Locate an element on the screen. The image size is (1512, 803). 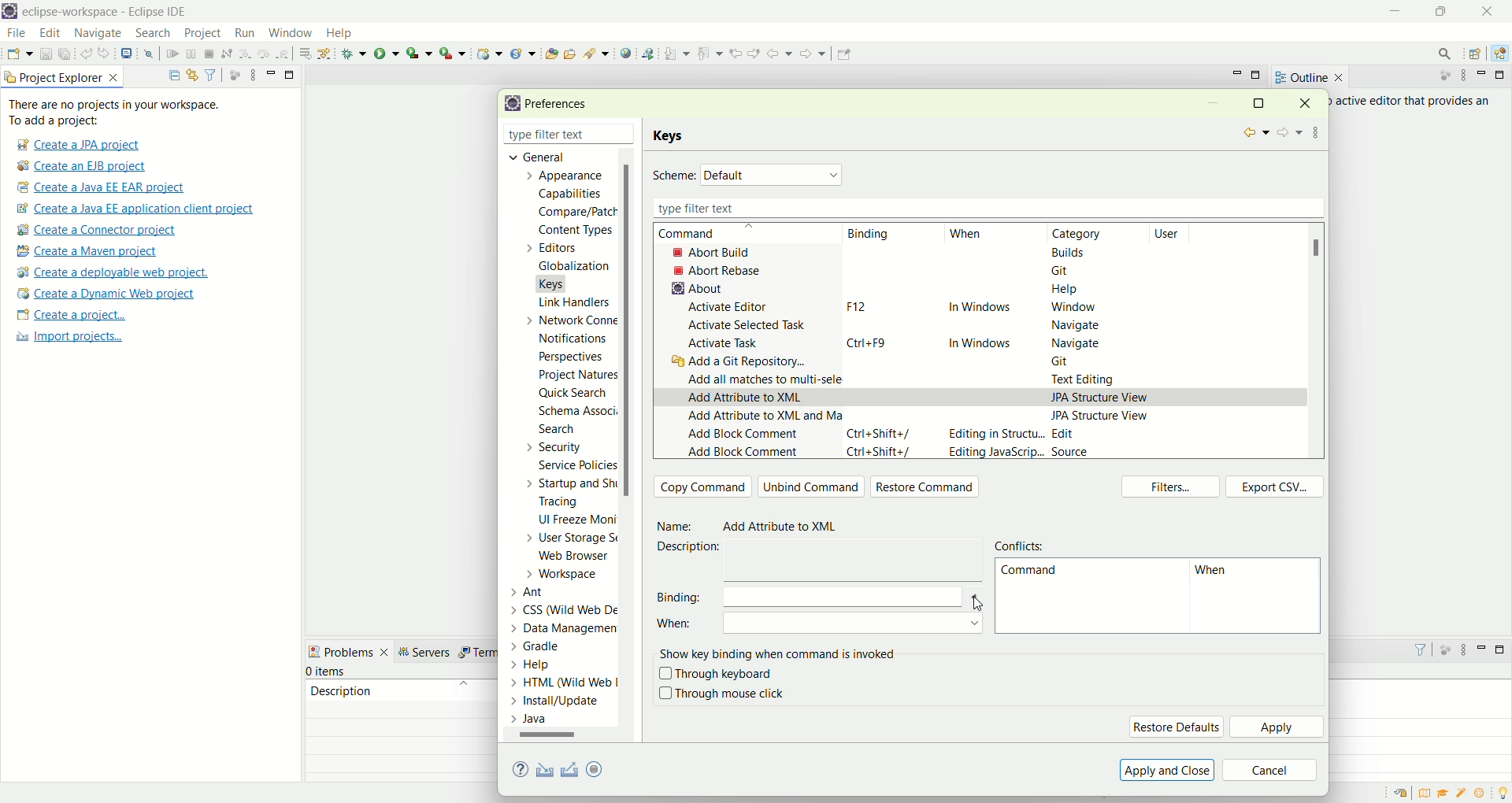
create a dynamic web project is located at coordinates (105, 294).